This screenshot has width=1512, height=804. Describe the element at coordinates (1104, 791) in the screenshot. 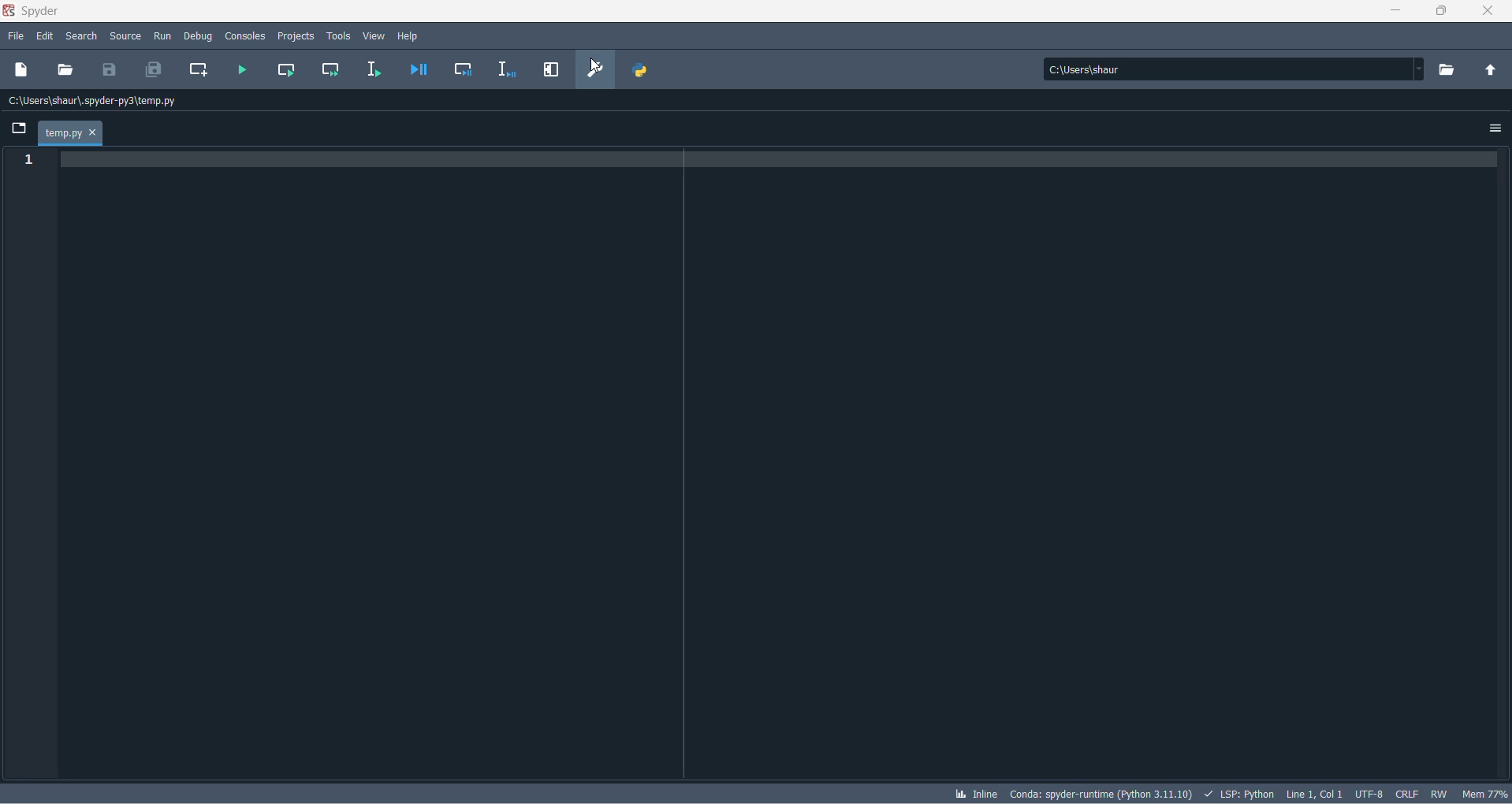

I see `spyder version` at that location.